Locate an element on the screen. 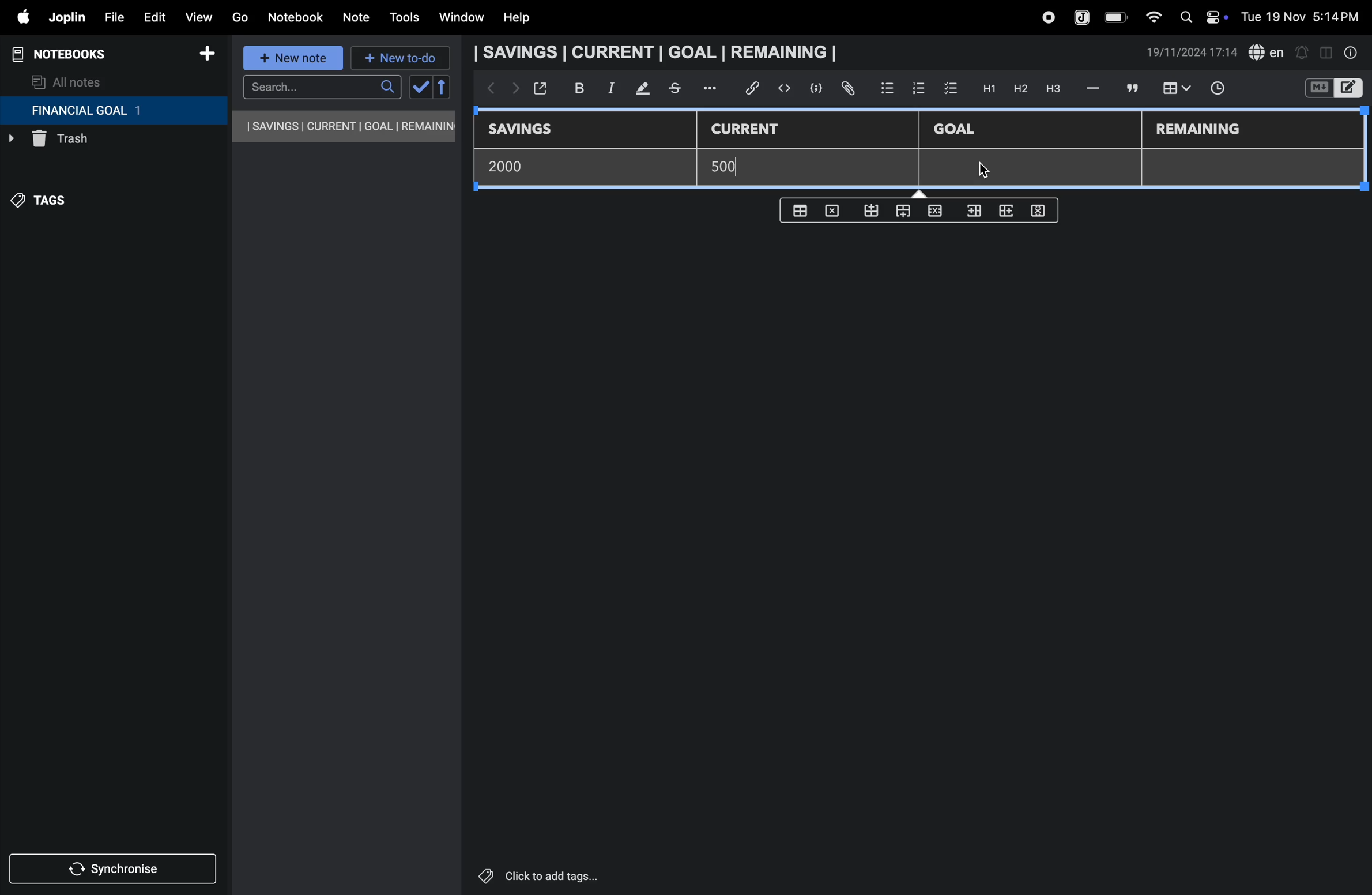  bullet list is located at coordinates (887, 87).